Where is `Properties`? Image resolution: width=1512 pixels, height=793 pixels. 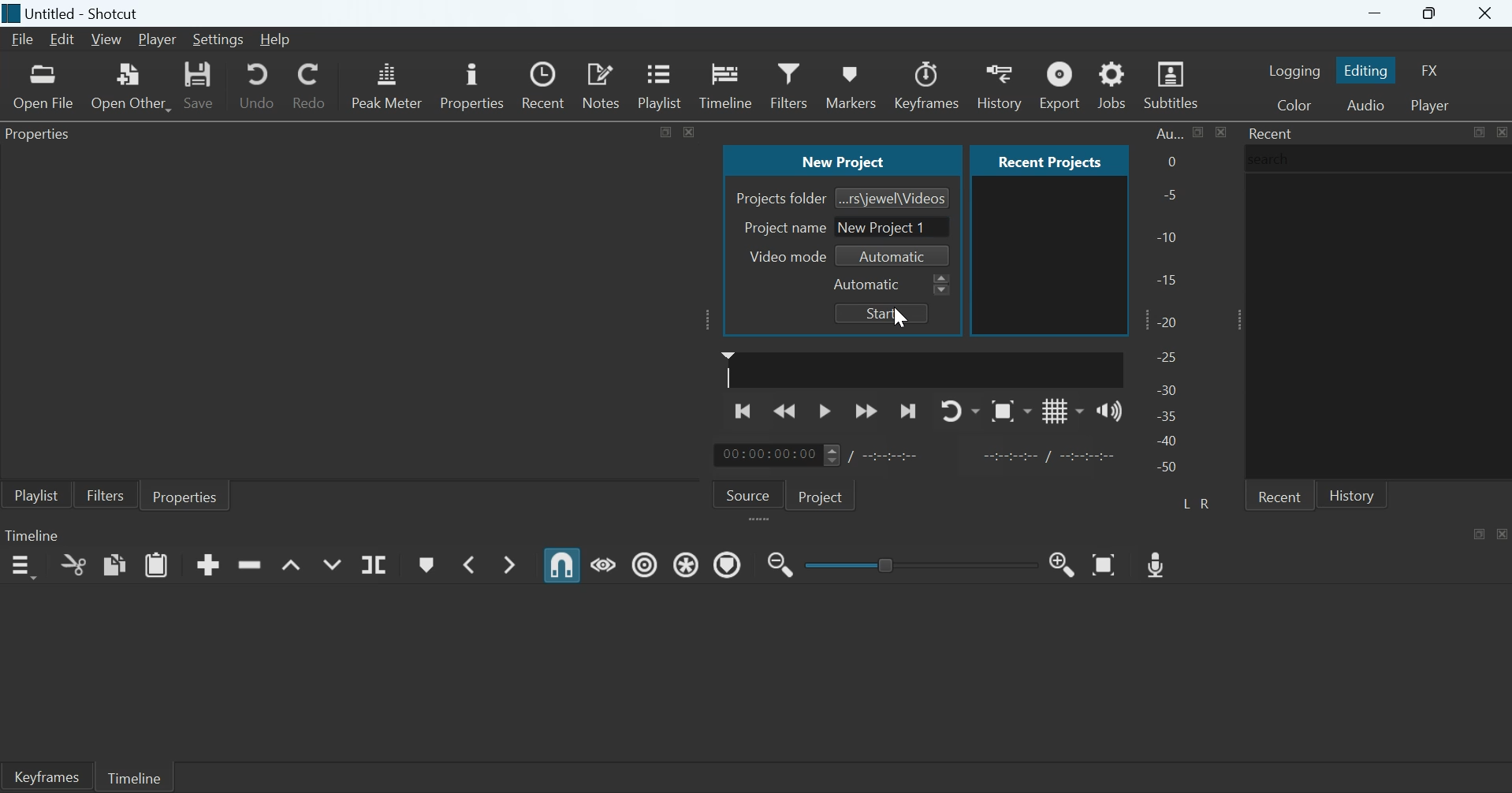
Properties is located at coordinates (185, 495).